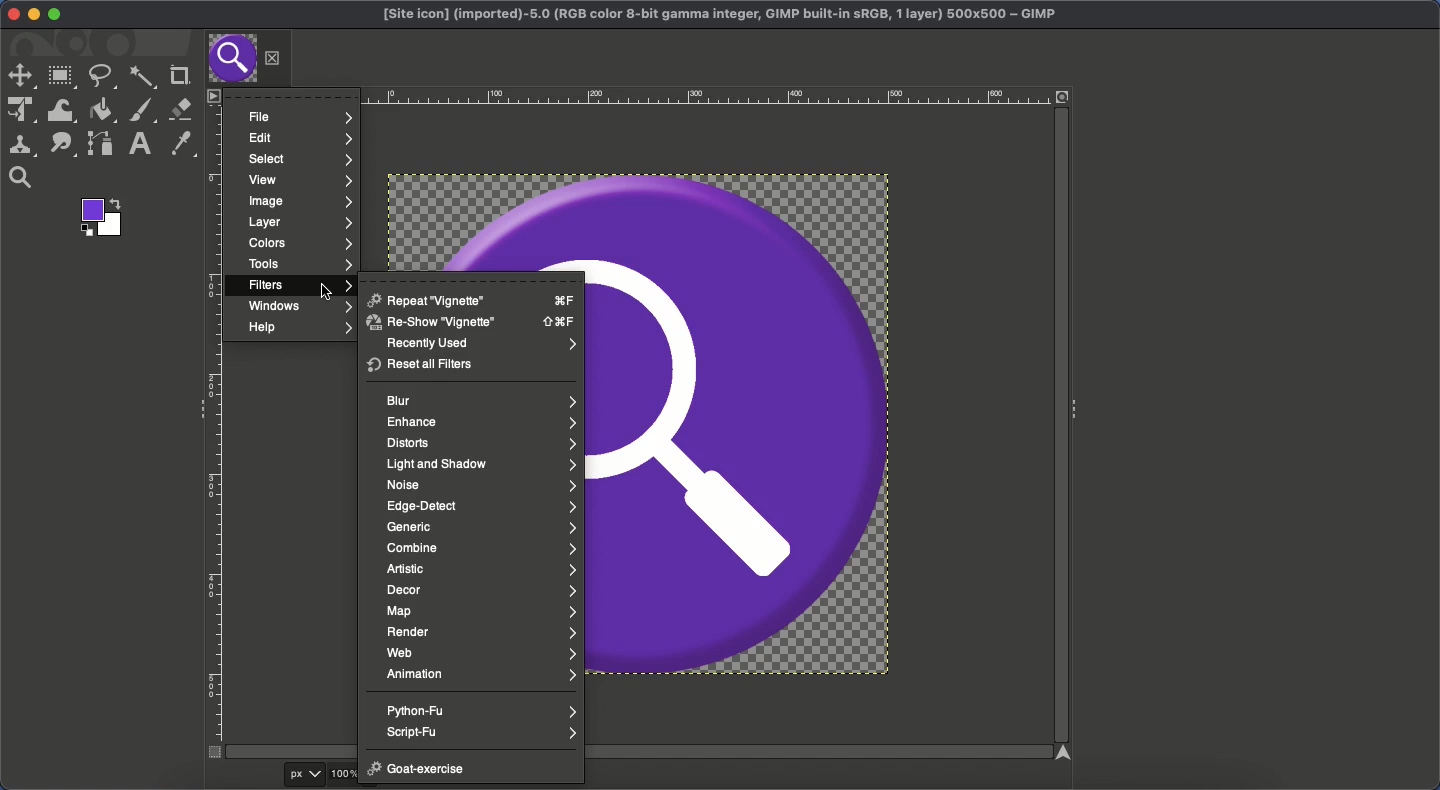 Image resolution: width=1440 pixels, height=790 pixels. I want to click on View, so click(297, 179).